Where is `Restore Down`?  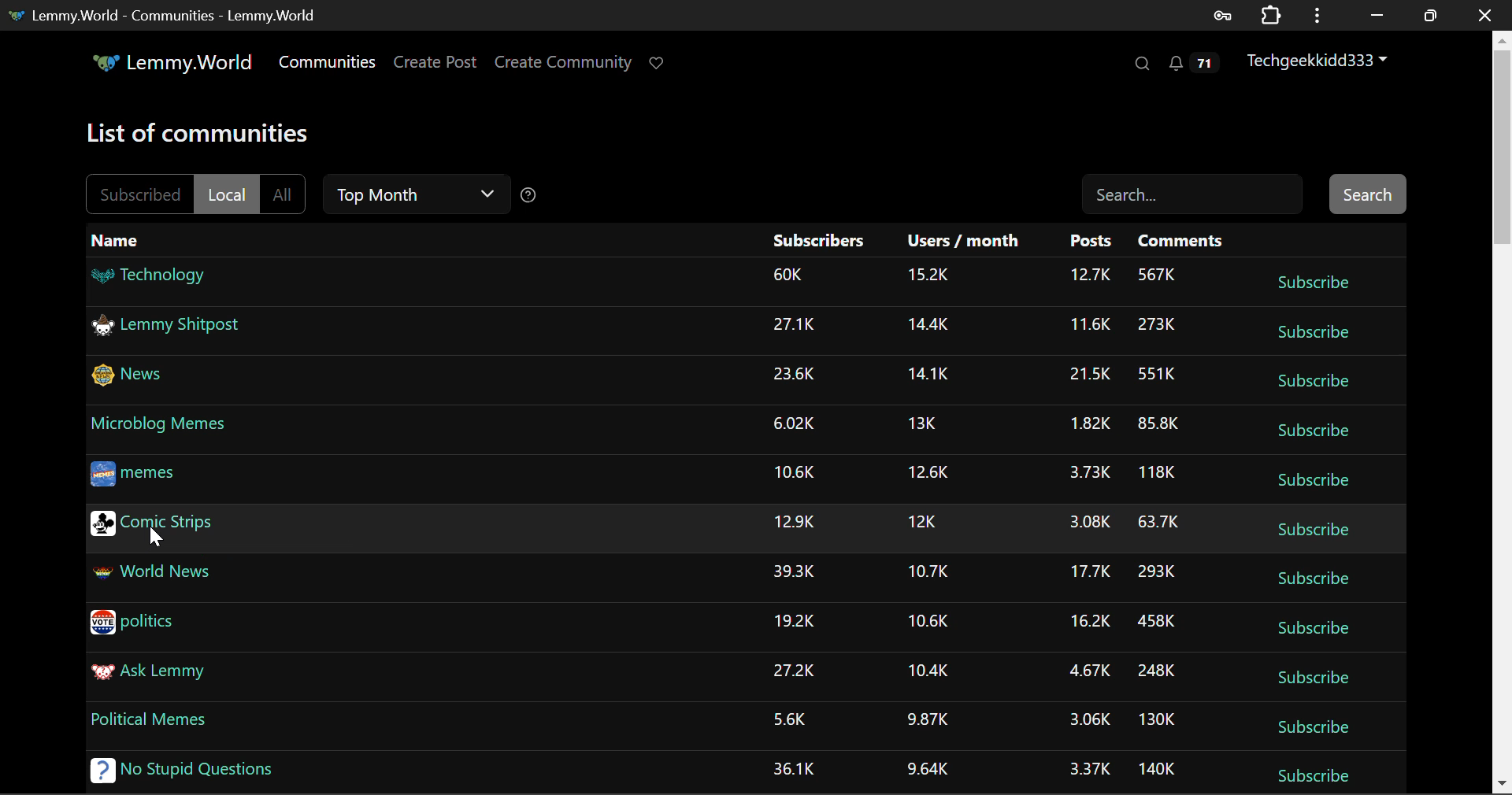 Restore Down is located at coordinates (1377, 14).